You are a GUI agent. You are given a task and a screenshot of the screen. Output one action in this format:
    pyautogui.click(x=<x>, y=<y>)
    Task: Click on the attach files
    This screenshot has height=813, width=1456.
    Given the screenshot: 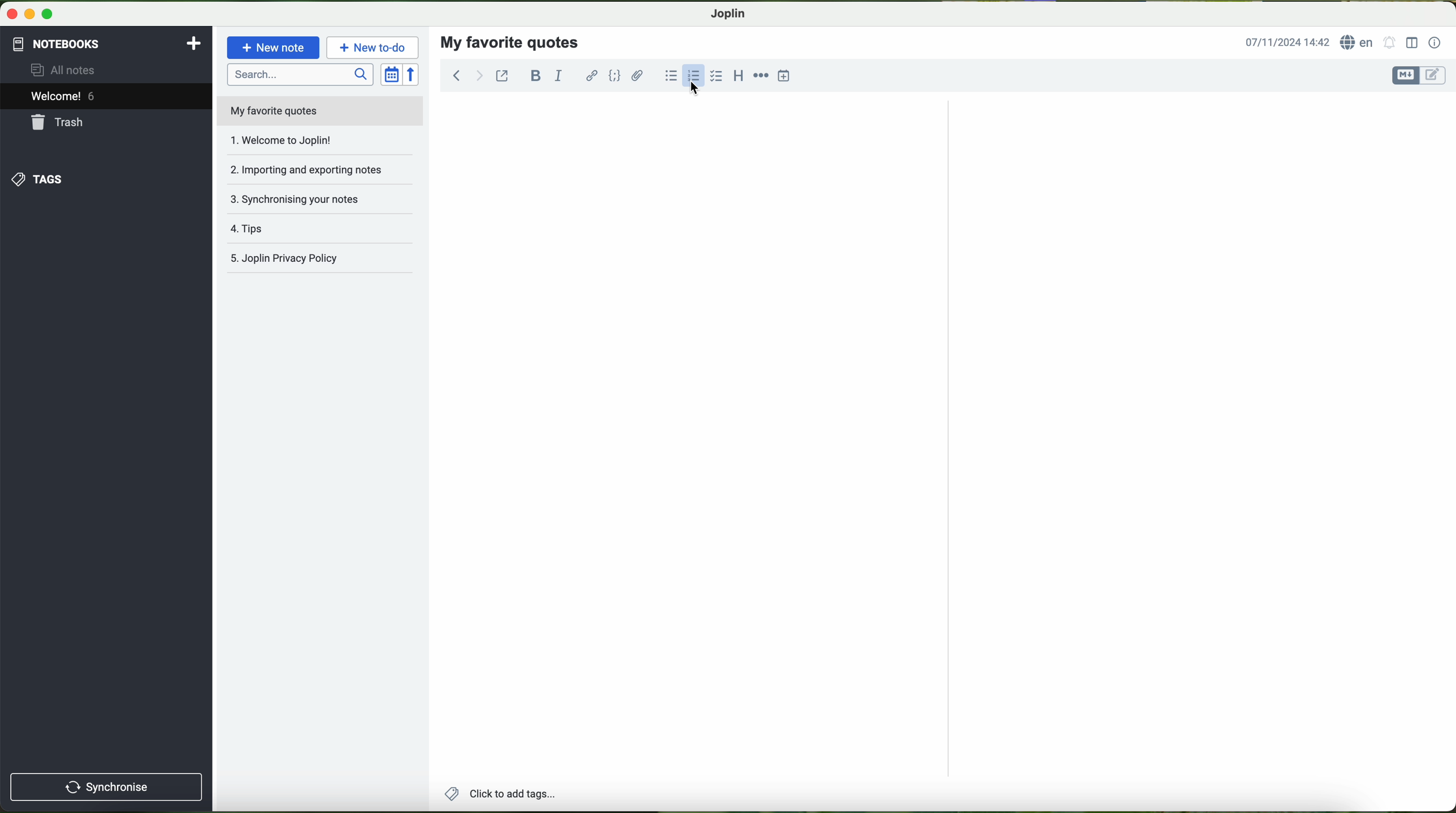 What is the action you would take?
    pyautogui.click(x=639, y=78)
    